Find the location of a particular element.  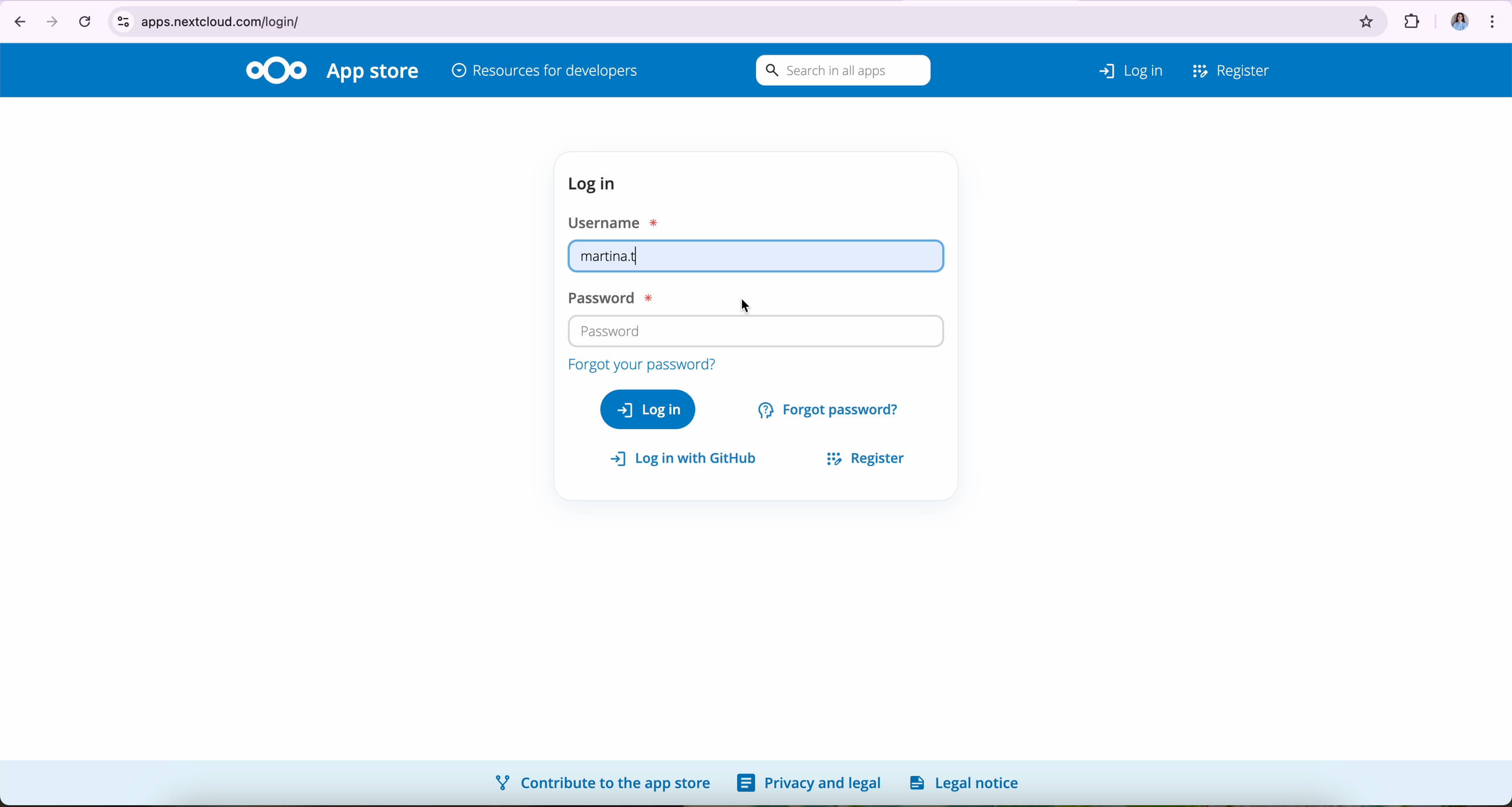

search in all apps is located at coordinates (840, 71).